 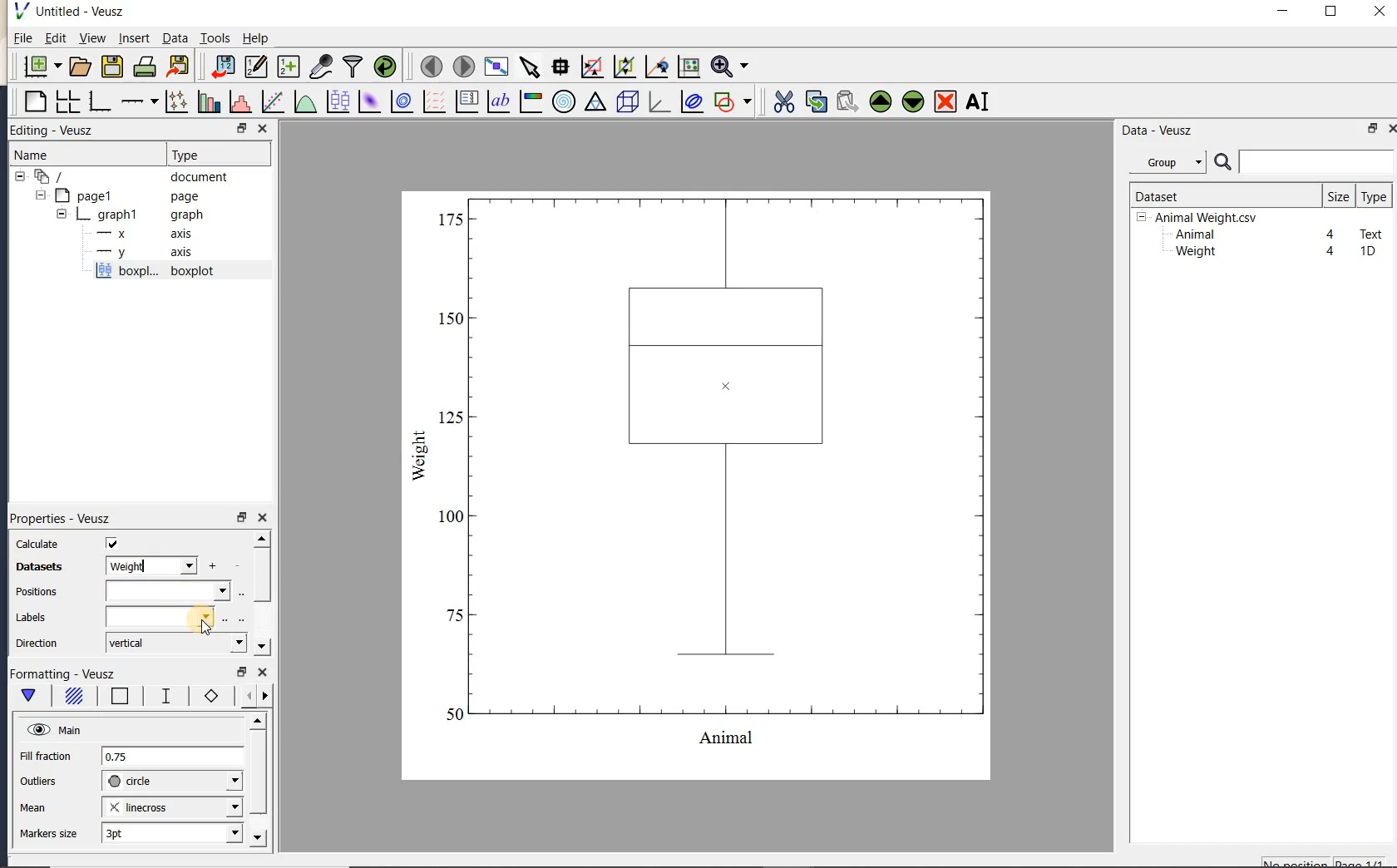 What do you see at coordinates (140, 234) in the screenshot?
I see `axis` at bounding box center [140, 234].